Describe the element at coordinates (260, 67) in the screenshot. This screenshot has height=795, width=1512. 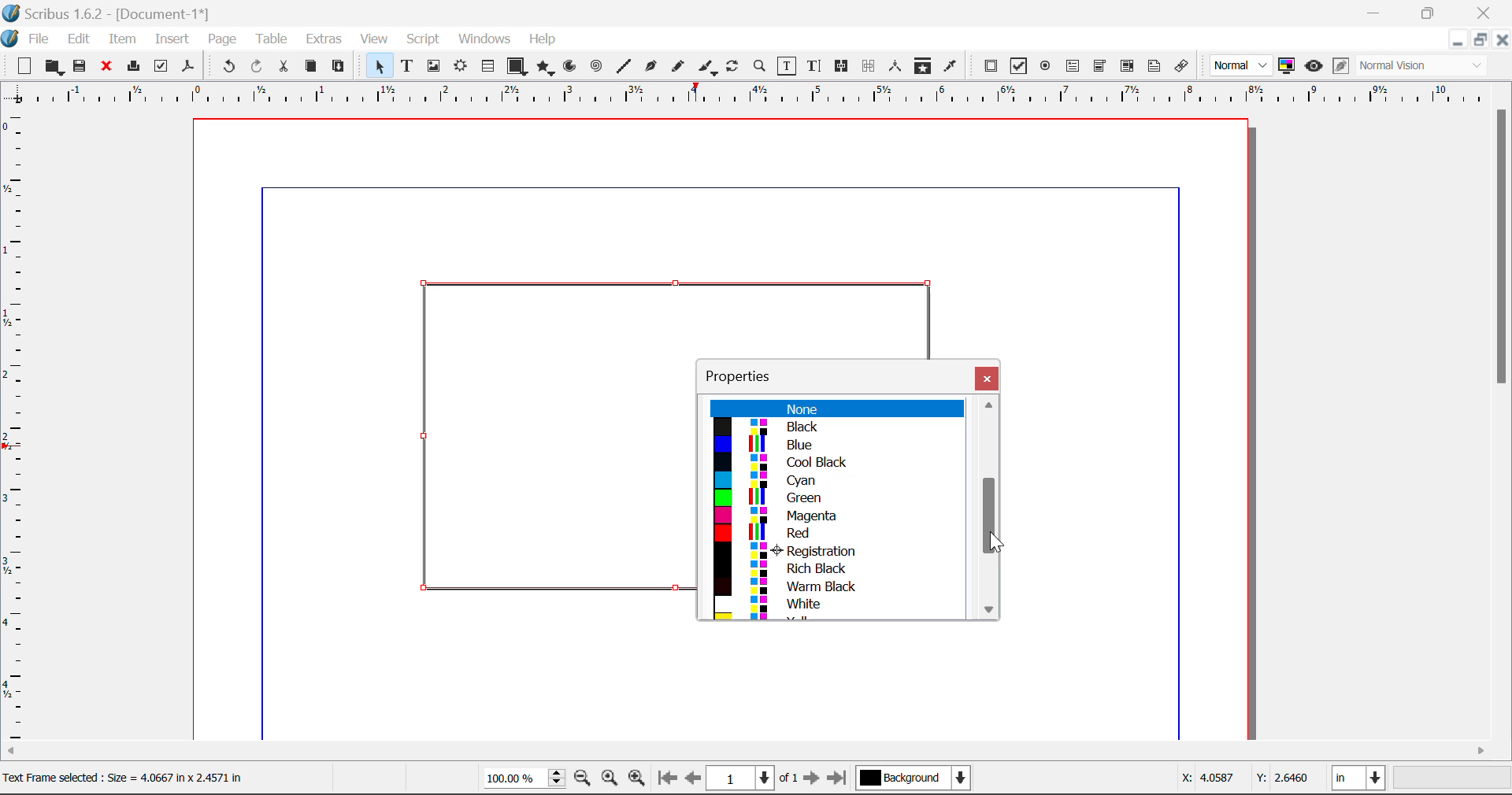
I see `Redo` at that location.